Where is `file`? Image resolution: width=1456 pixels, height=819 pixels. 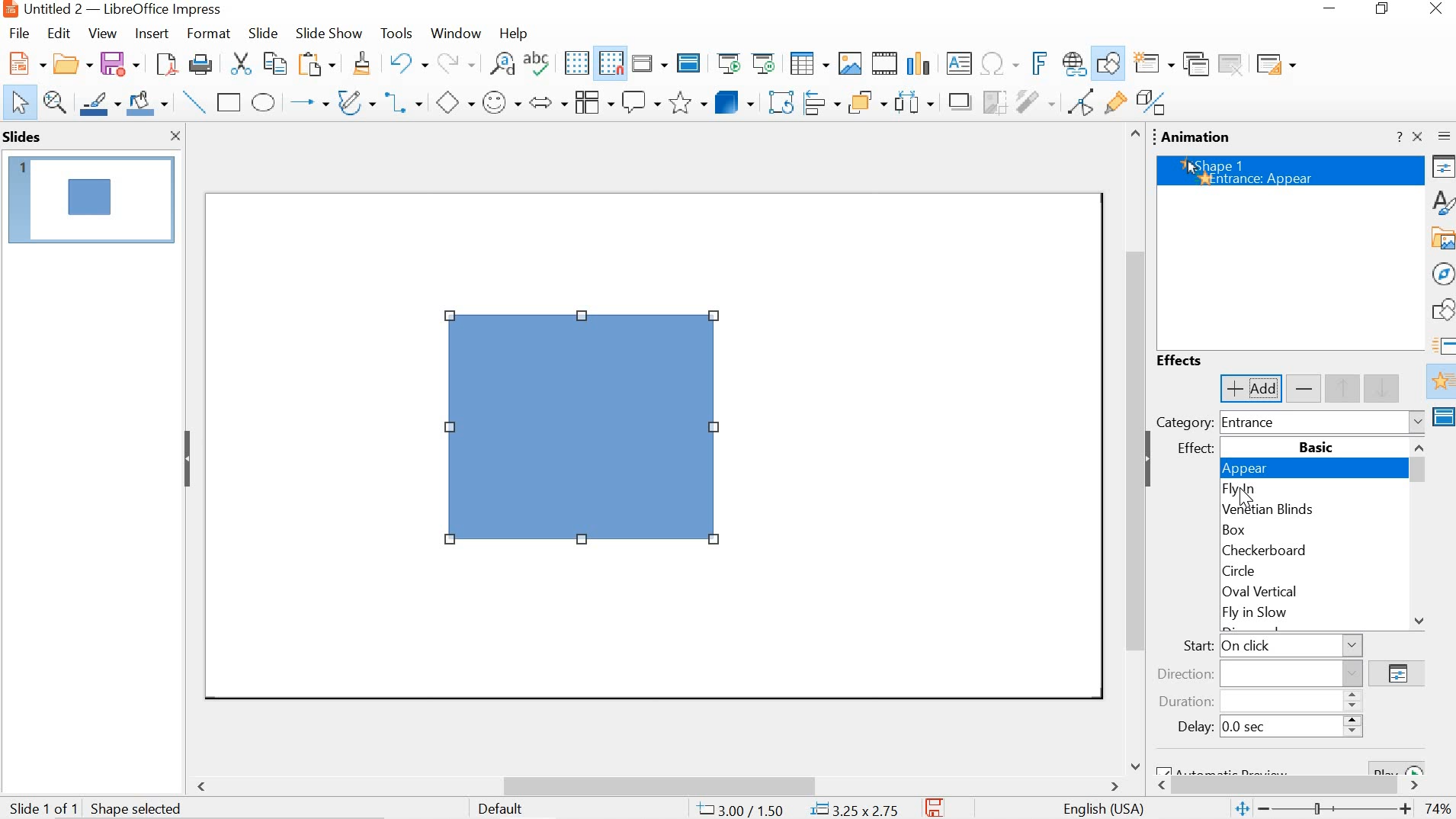
file is located at coordinates (19, 34).